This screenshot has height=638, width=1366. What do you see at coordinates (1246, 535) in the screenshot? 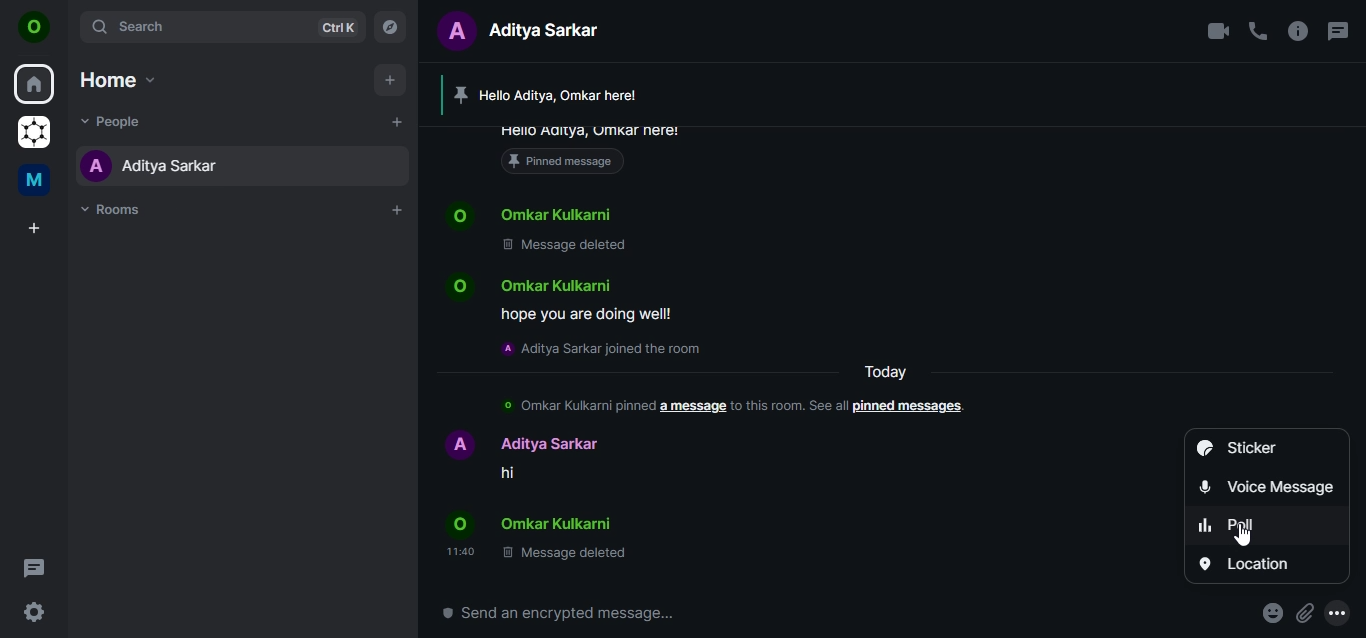
I see `cursor` at bounding box center [1246, 535].